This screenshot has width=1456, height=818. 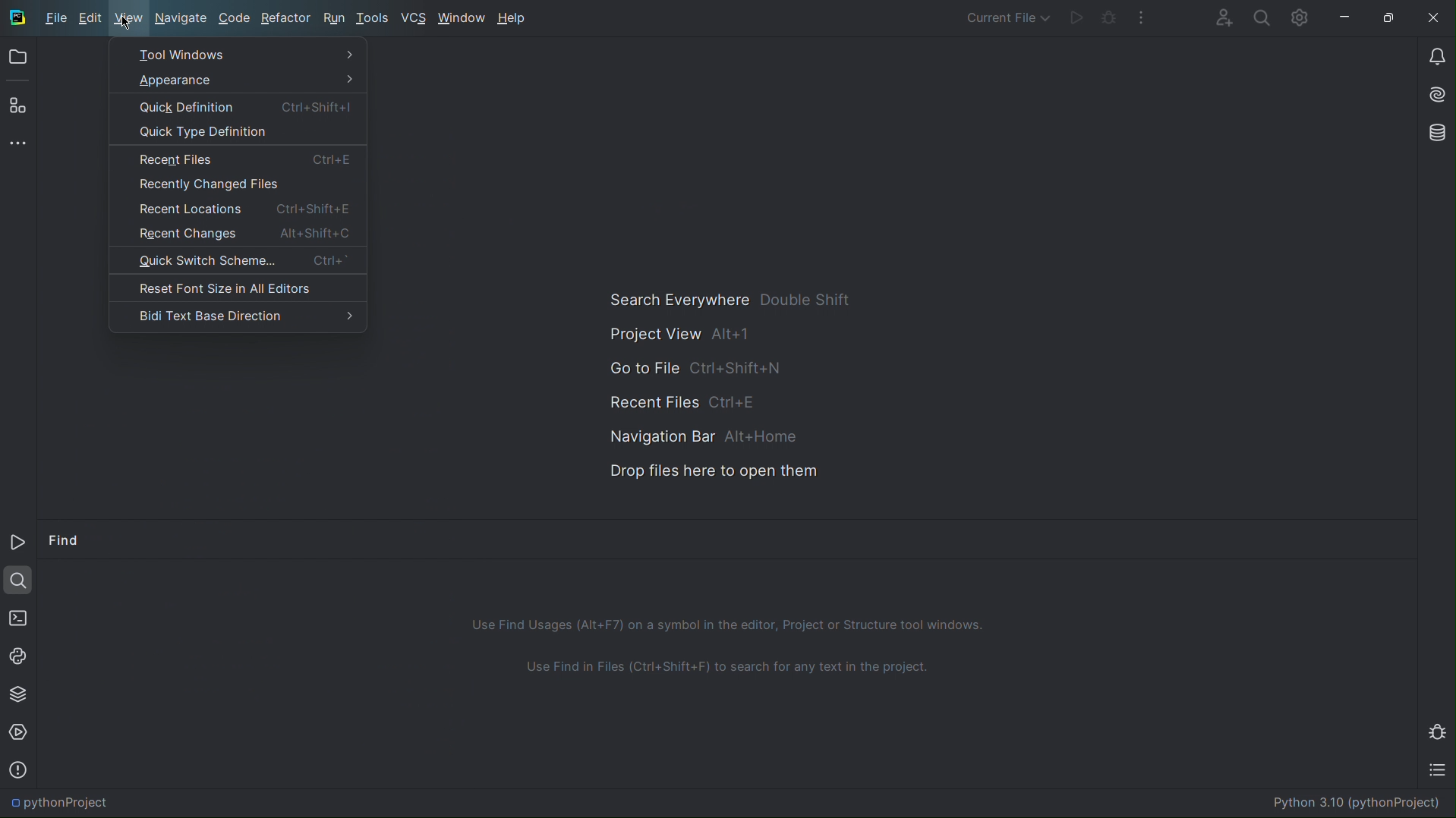 I want to click on Code, so click(x=232, y=19).